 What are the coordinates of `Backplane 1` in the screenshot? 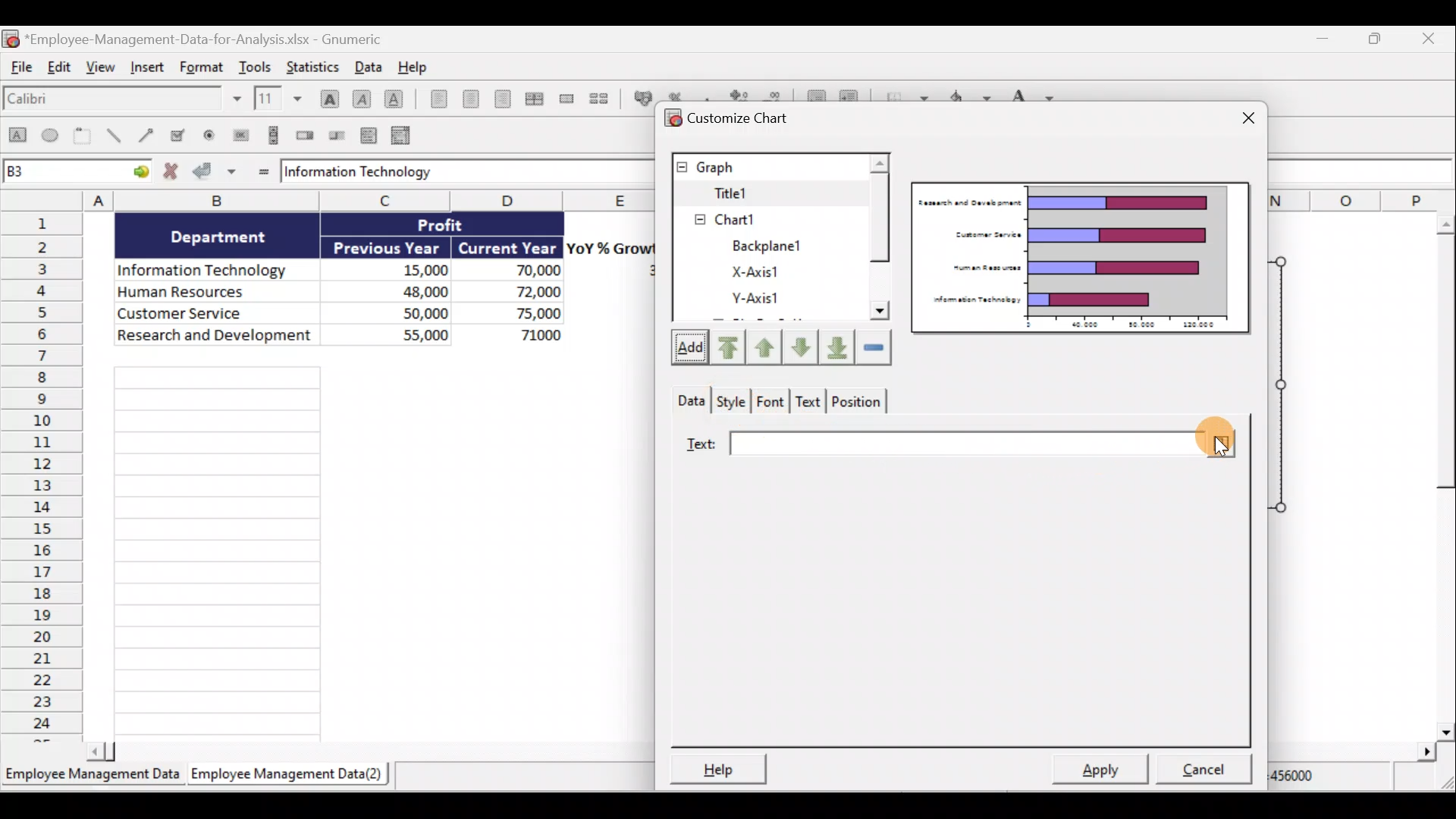 It's located at (761, 217).